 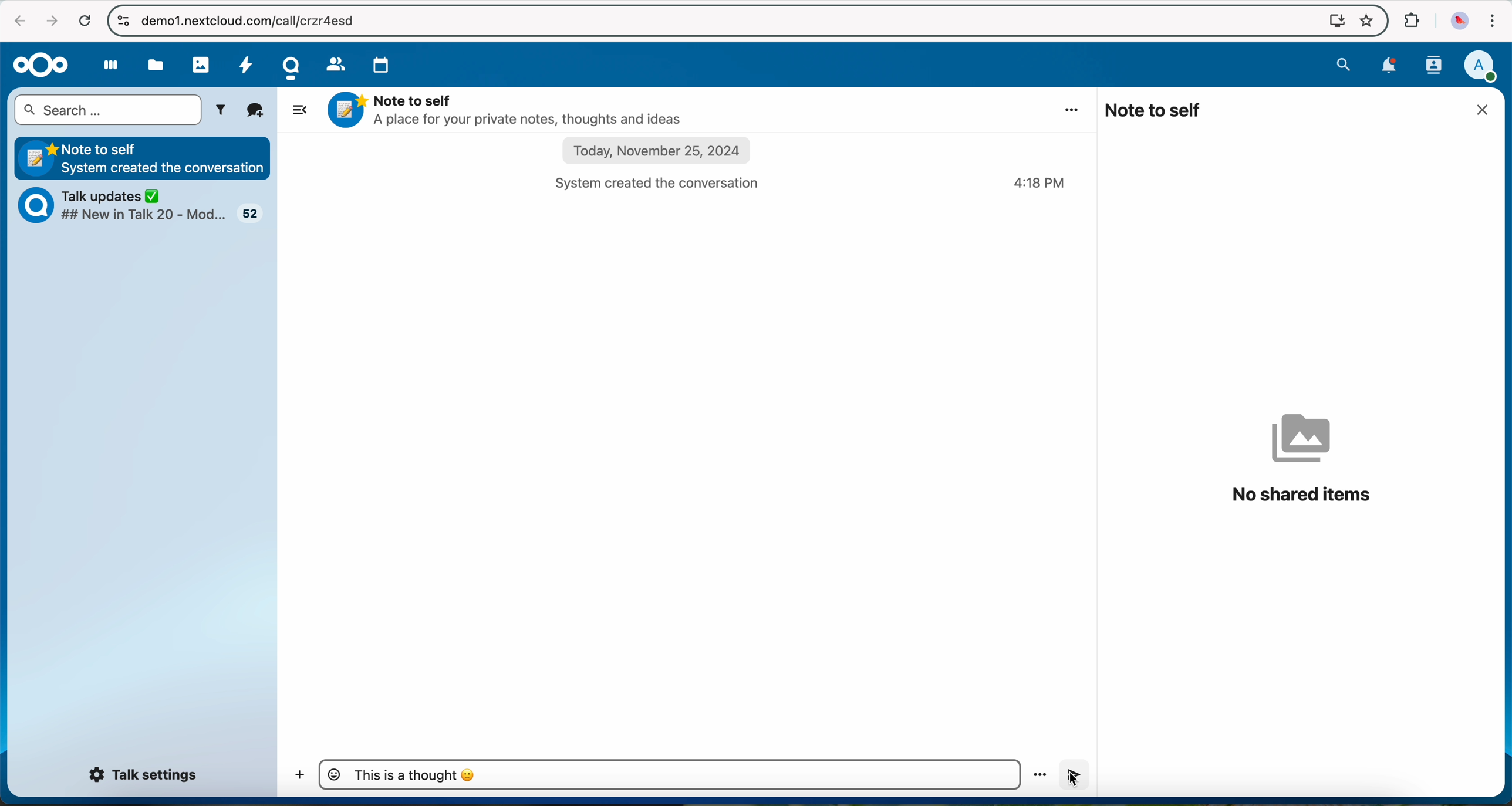 What do you see at coordinates (1041, 775) in the screenshot?
I see `more options` at bounding box center [1041, 775].